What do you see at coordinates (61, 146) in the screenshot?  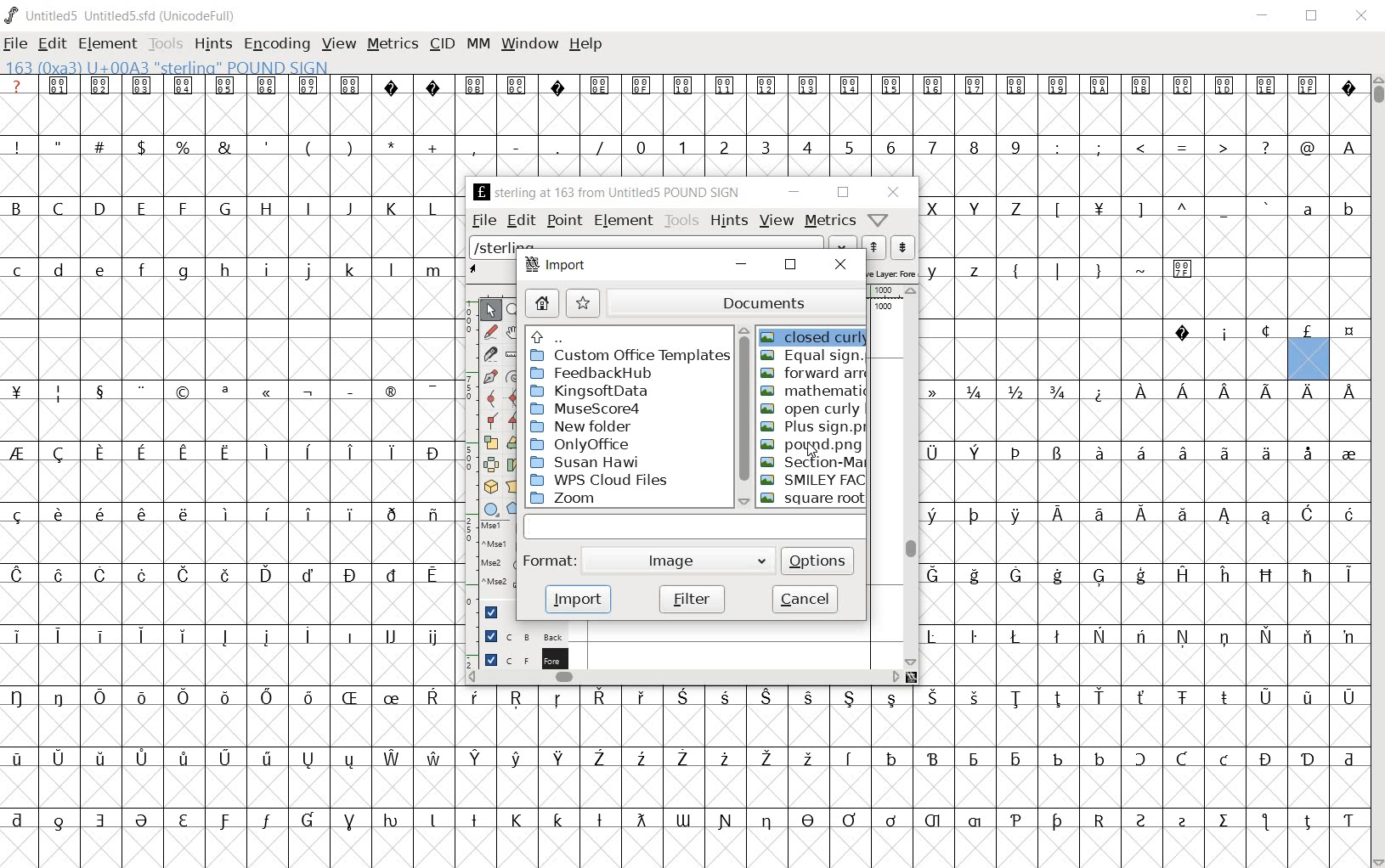 I see `"` at bounding box center [61, 146].